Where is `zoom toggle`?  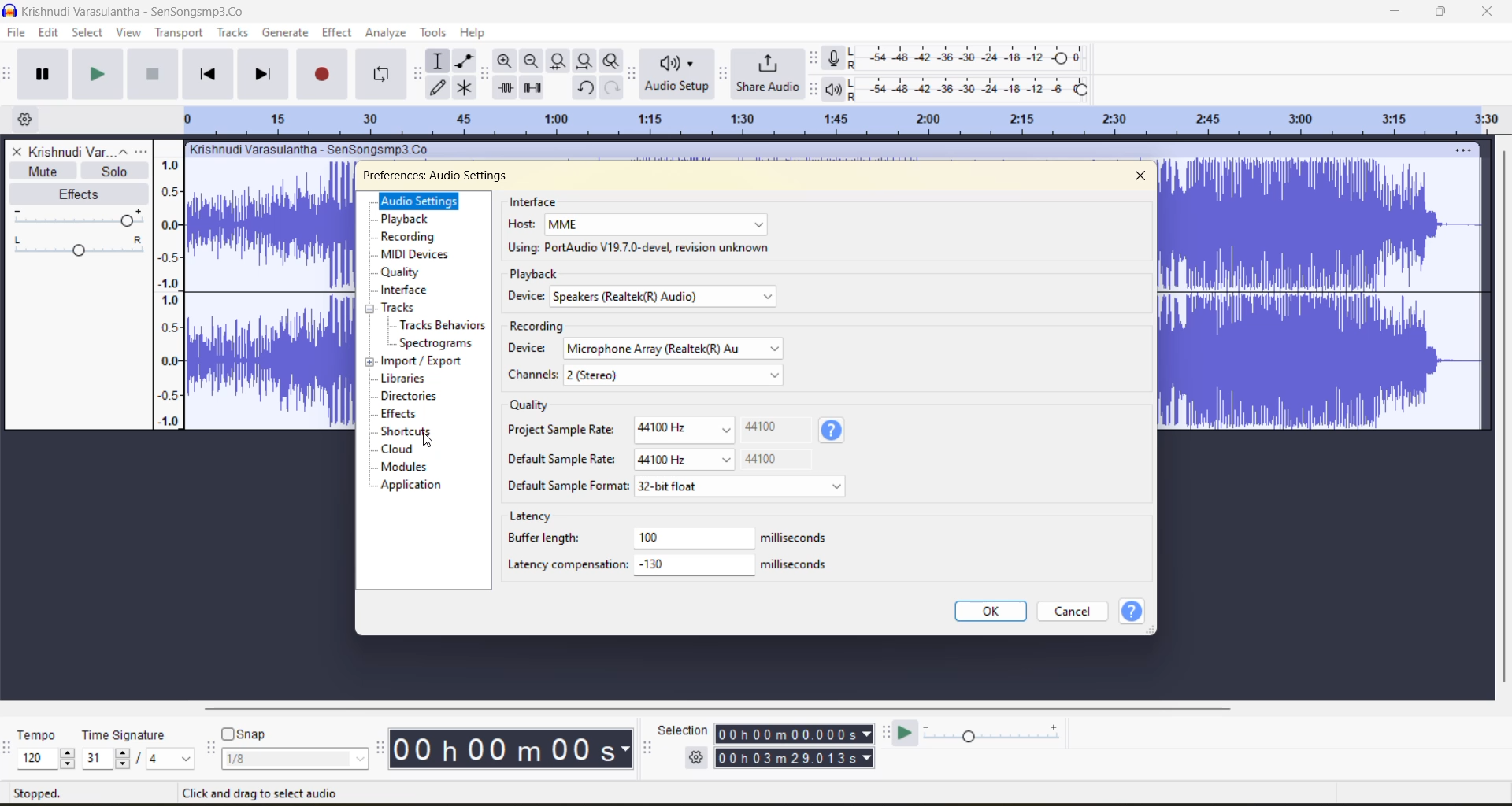 zoom toggle is located at coordinates (613, 61).